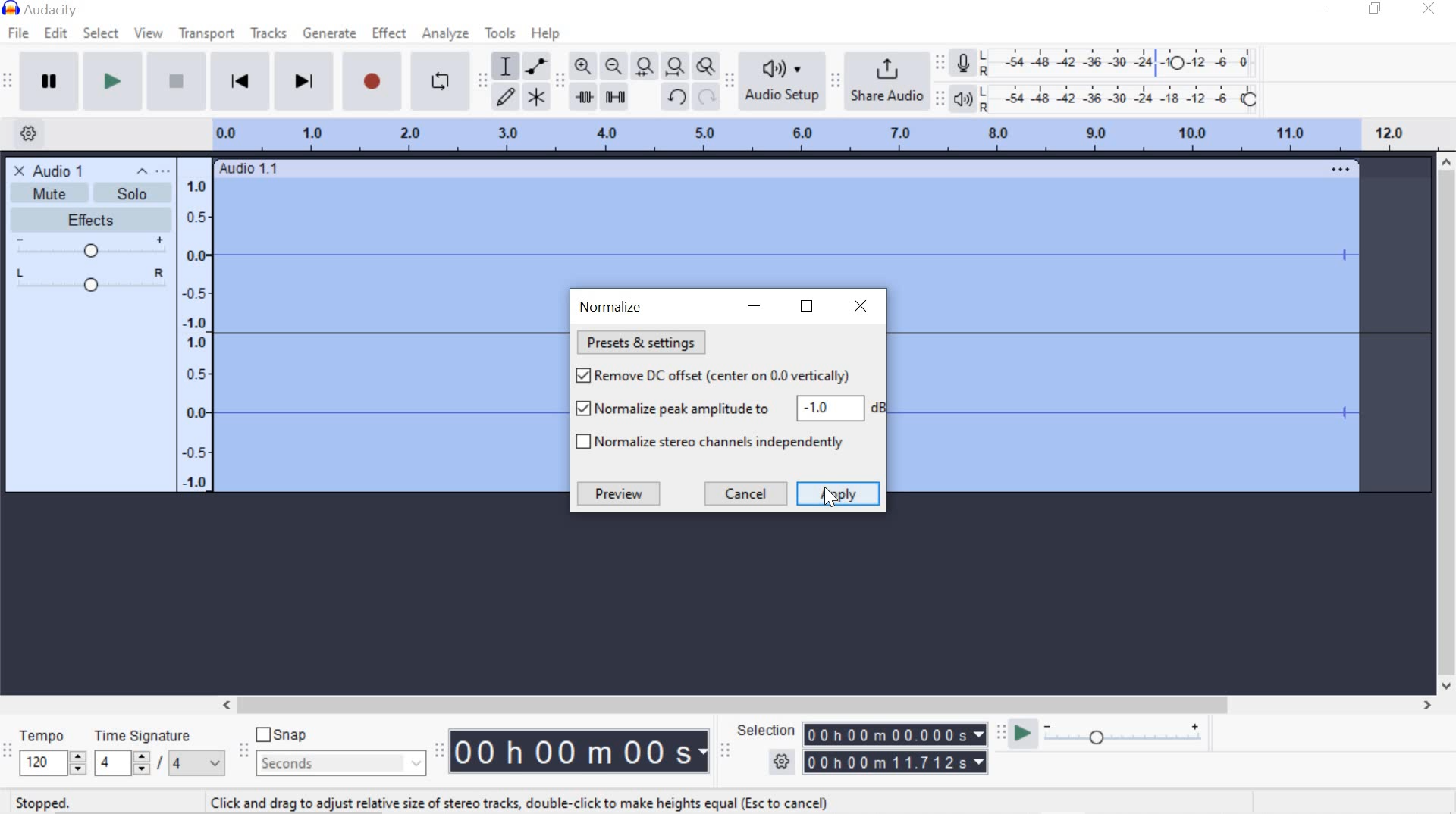 The height and width of the screenshot is (814, 1456). I want to click on audio 1.1, so click(254, 171).